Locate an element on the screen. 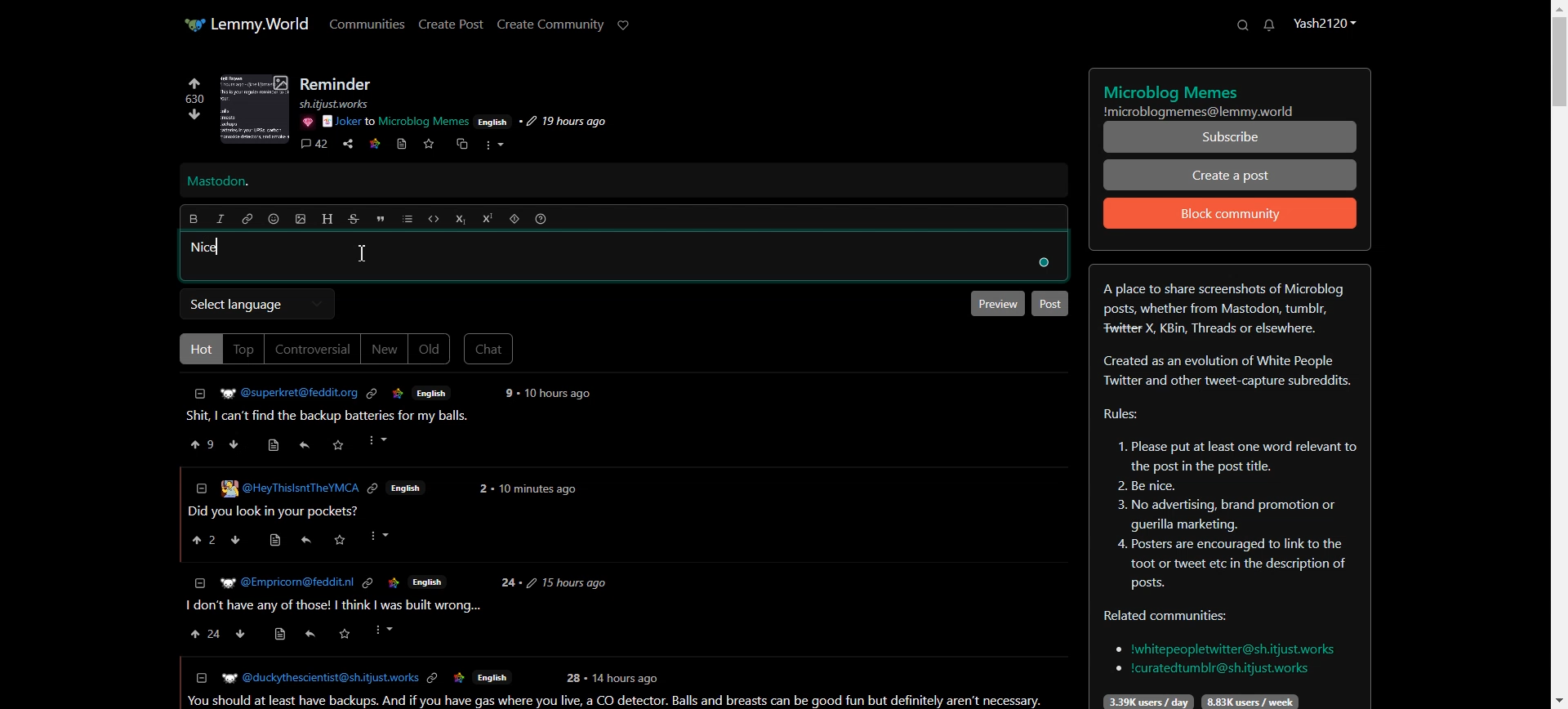  ® @duckythescientist@sh.
itjust works is located at coordinates (319, 678).